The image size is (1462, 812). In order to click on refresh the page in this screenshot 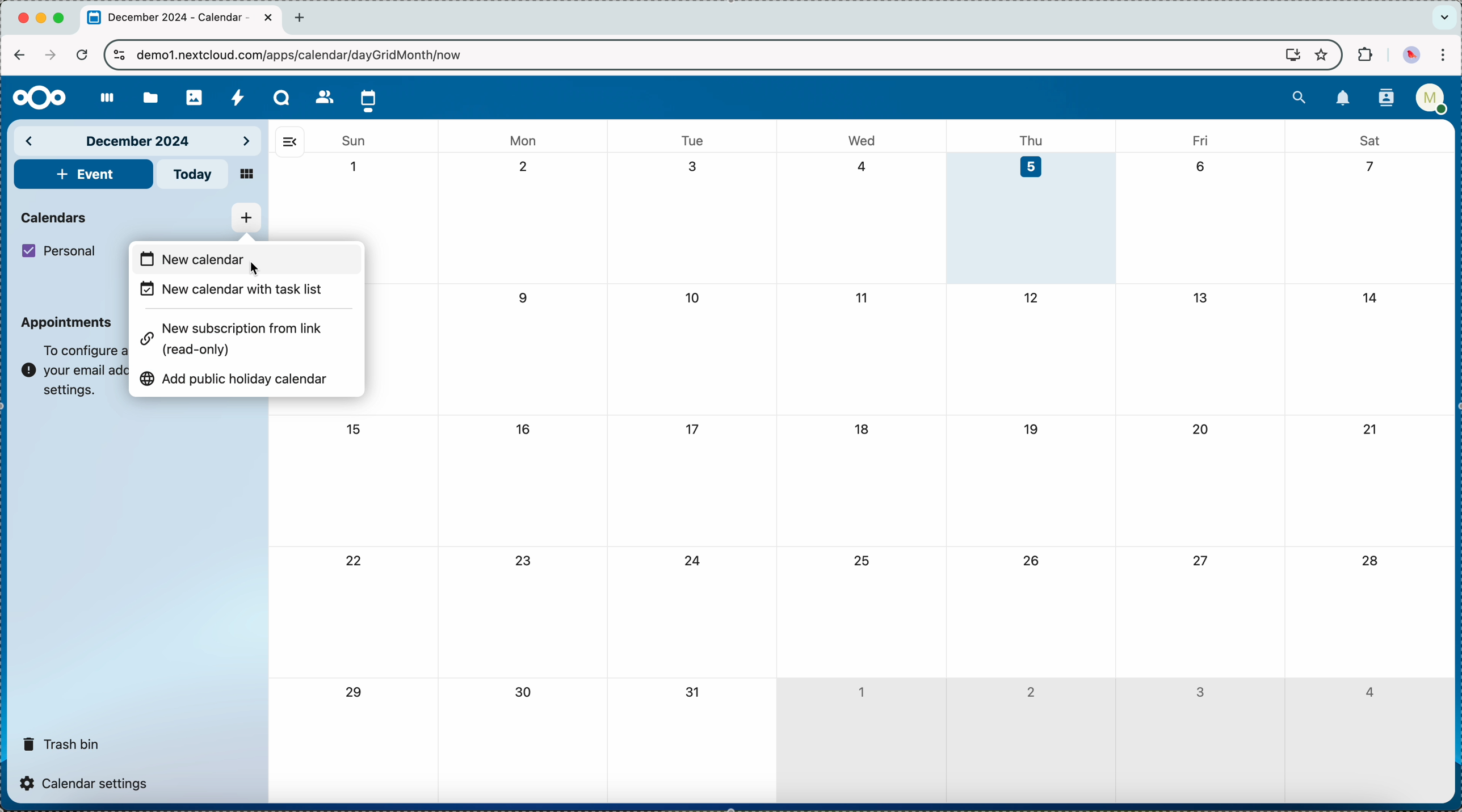, I will do `click(81, 54)`.